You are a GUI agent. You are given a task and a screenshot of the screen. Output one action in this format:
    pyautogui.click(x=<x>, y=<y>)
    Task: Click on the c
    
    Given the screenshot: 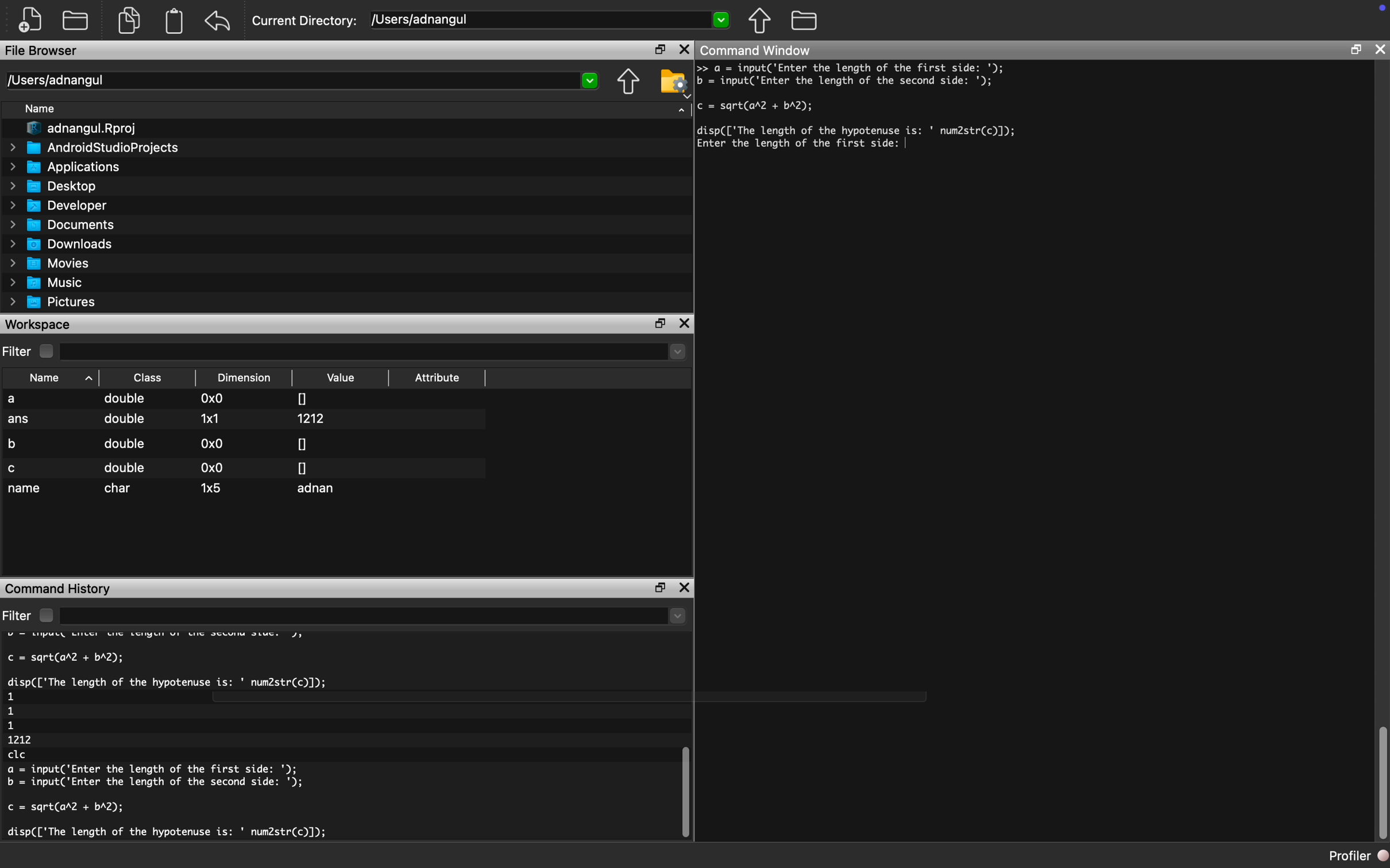 What is the action you would take?
    pyautogui.click(x=14, y=468)
    